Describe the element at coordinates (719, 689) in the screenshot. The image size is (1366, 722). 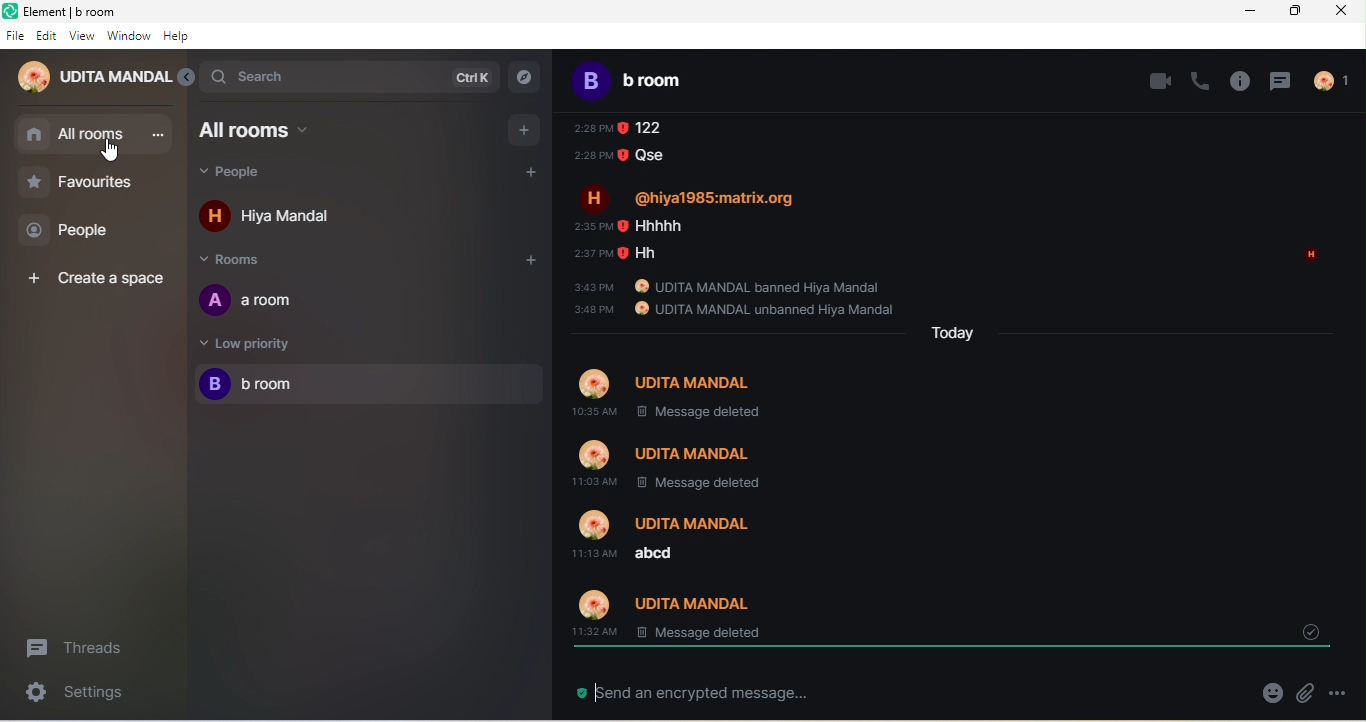
I see `send an encrypted message` at that location.